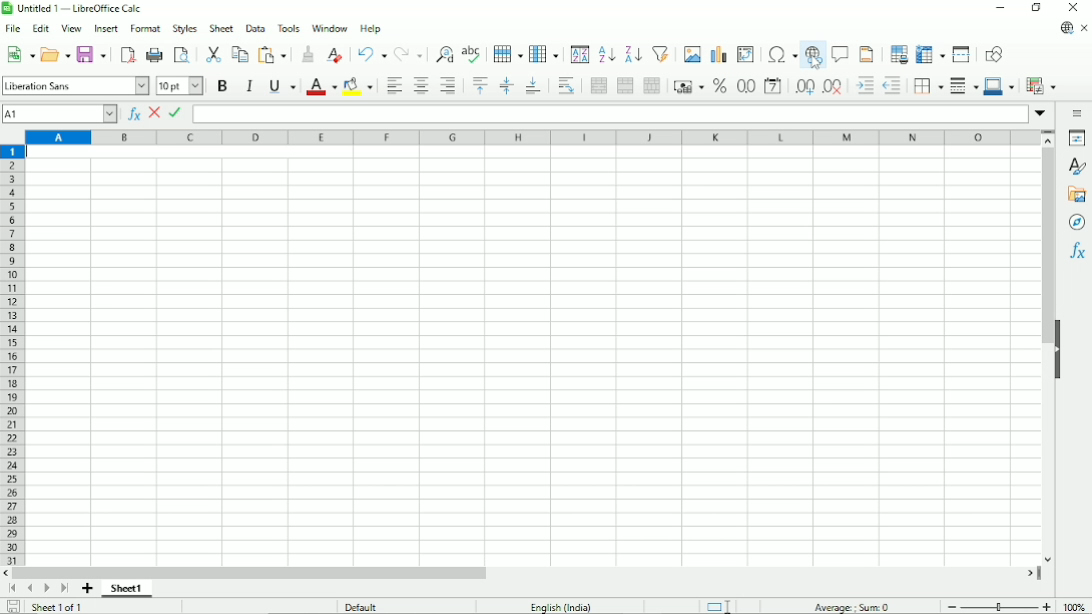 This screenshot has width=1092, height=614. I want to click on Wrap text, so click(567, 85).